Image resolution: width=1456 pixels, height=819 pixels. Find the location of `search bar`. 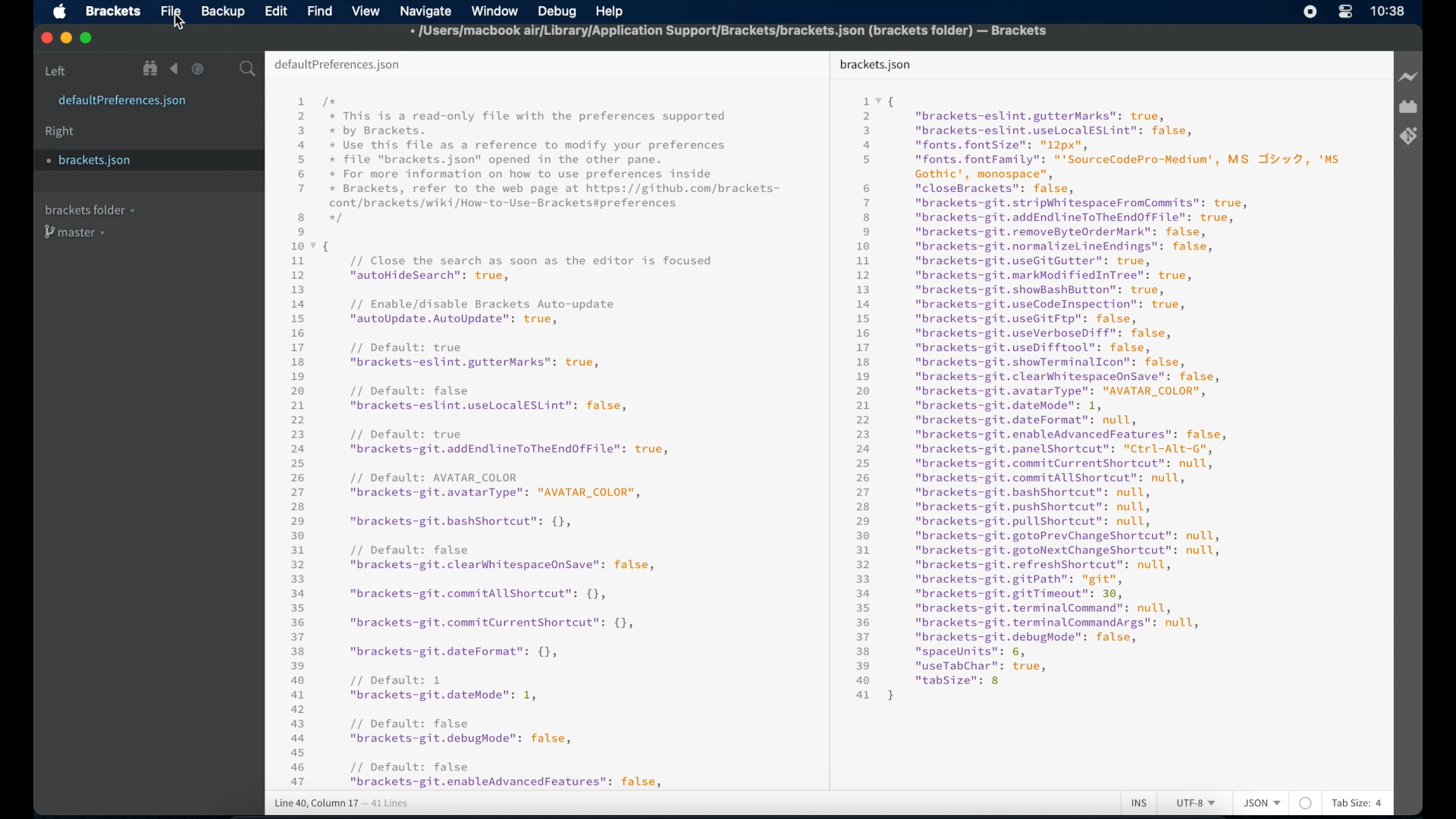

search bar is located at coordinates (248, 70).